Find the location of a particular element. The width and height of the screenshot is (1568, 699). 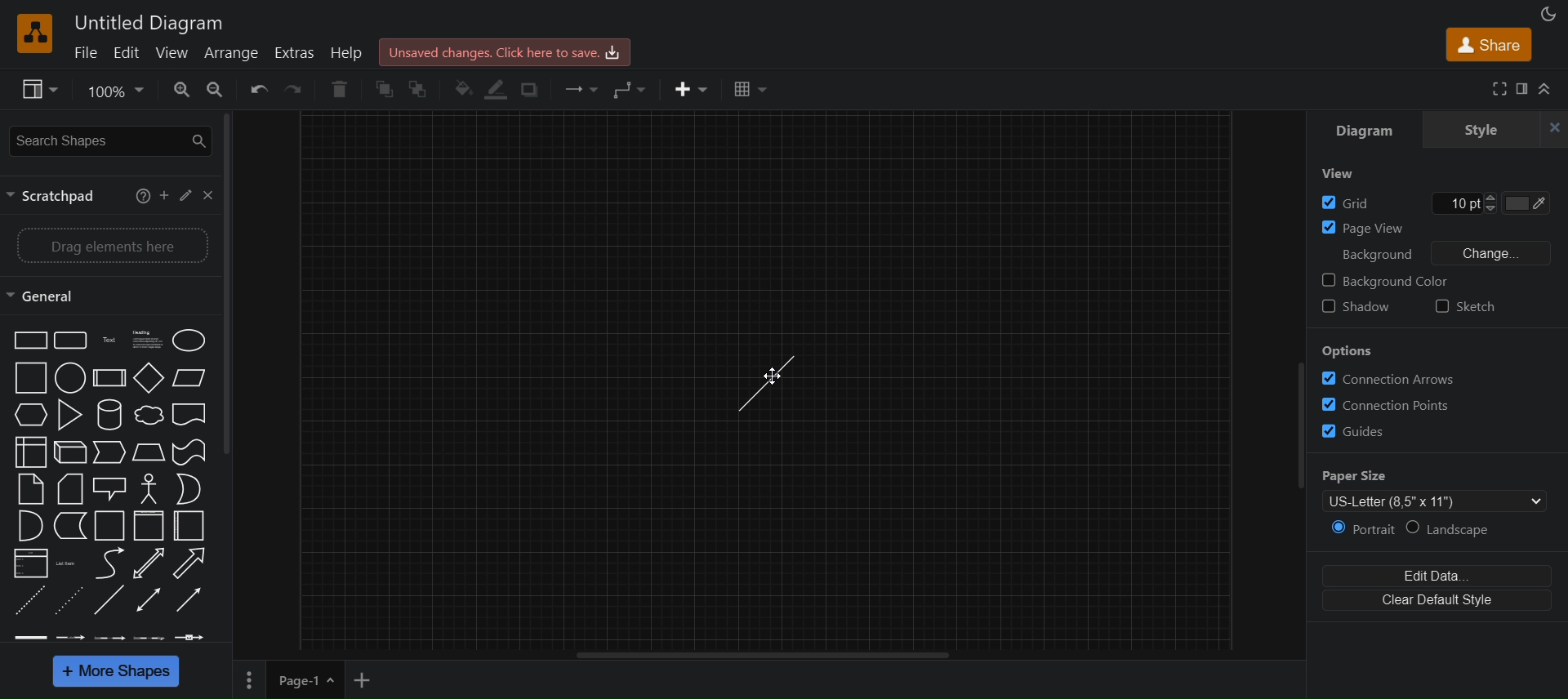

Cylinder is located at coordinates (107, 413).